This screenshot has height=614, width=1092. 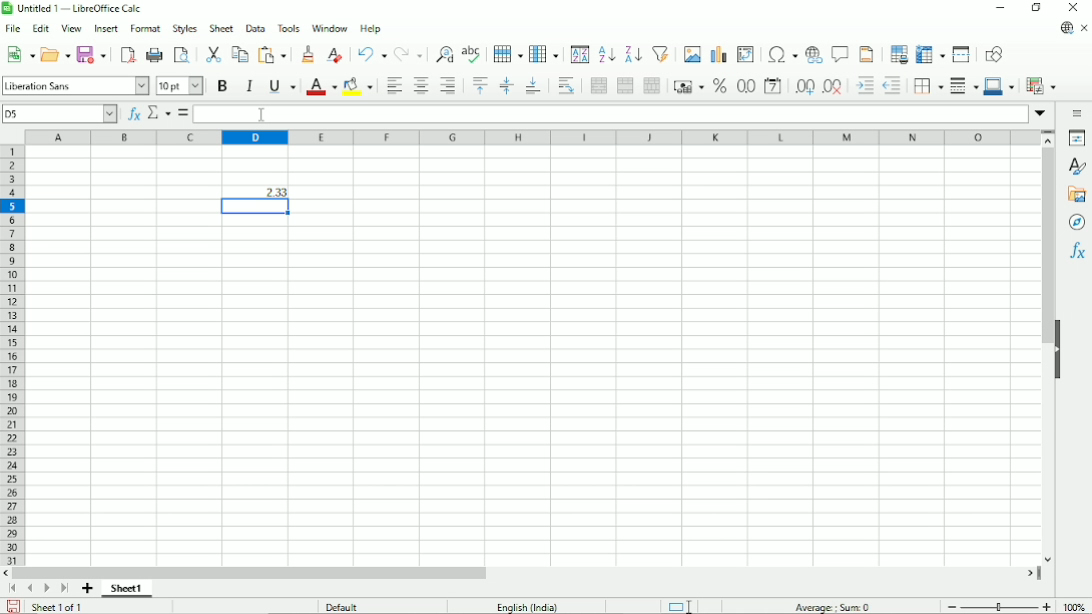 I want to click on Define print area, so click(x=897, y=54).